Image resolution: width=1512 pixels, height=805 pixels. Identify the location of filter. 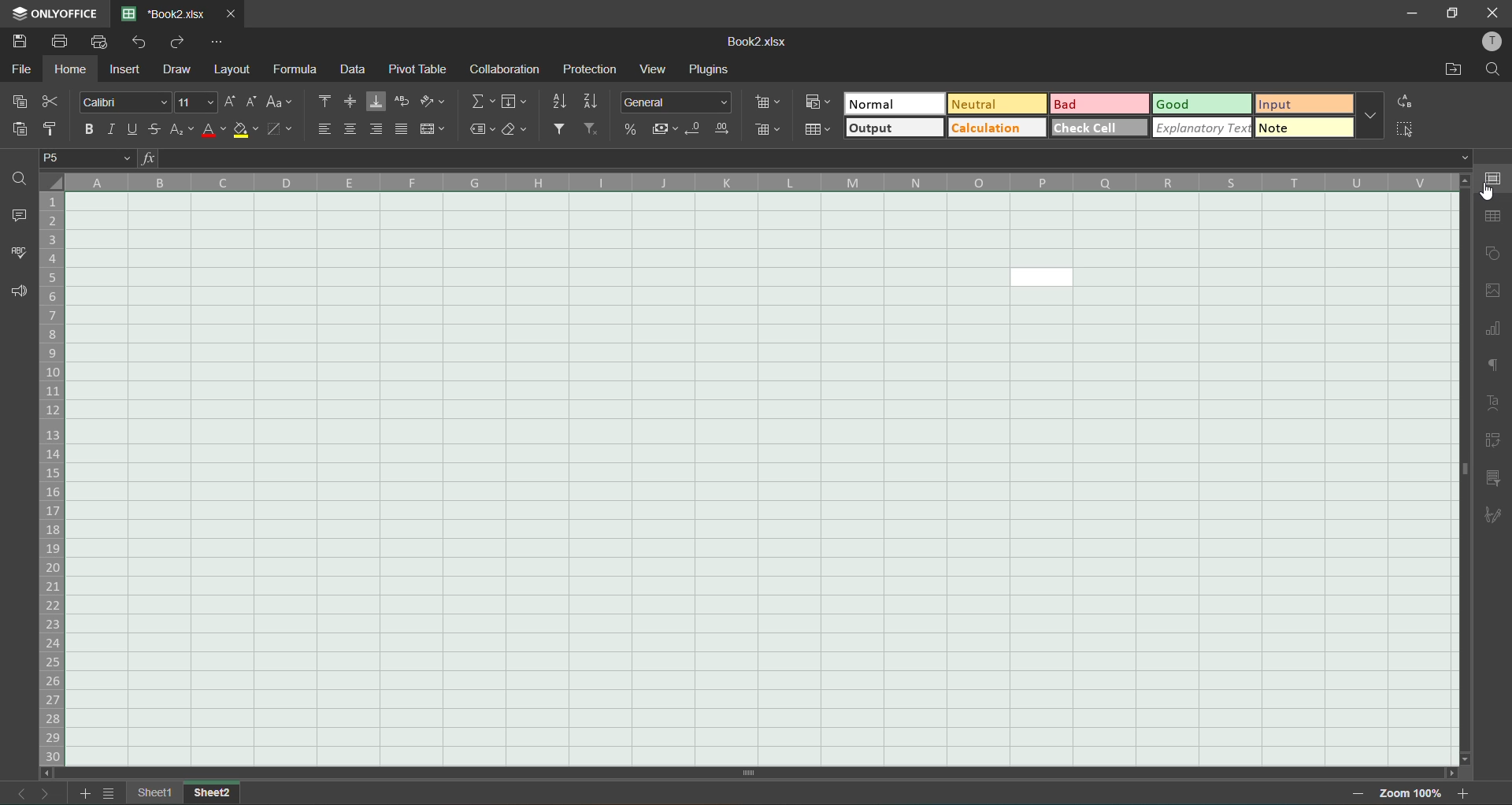
(564, 129).